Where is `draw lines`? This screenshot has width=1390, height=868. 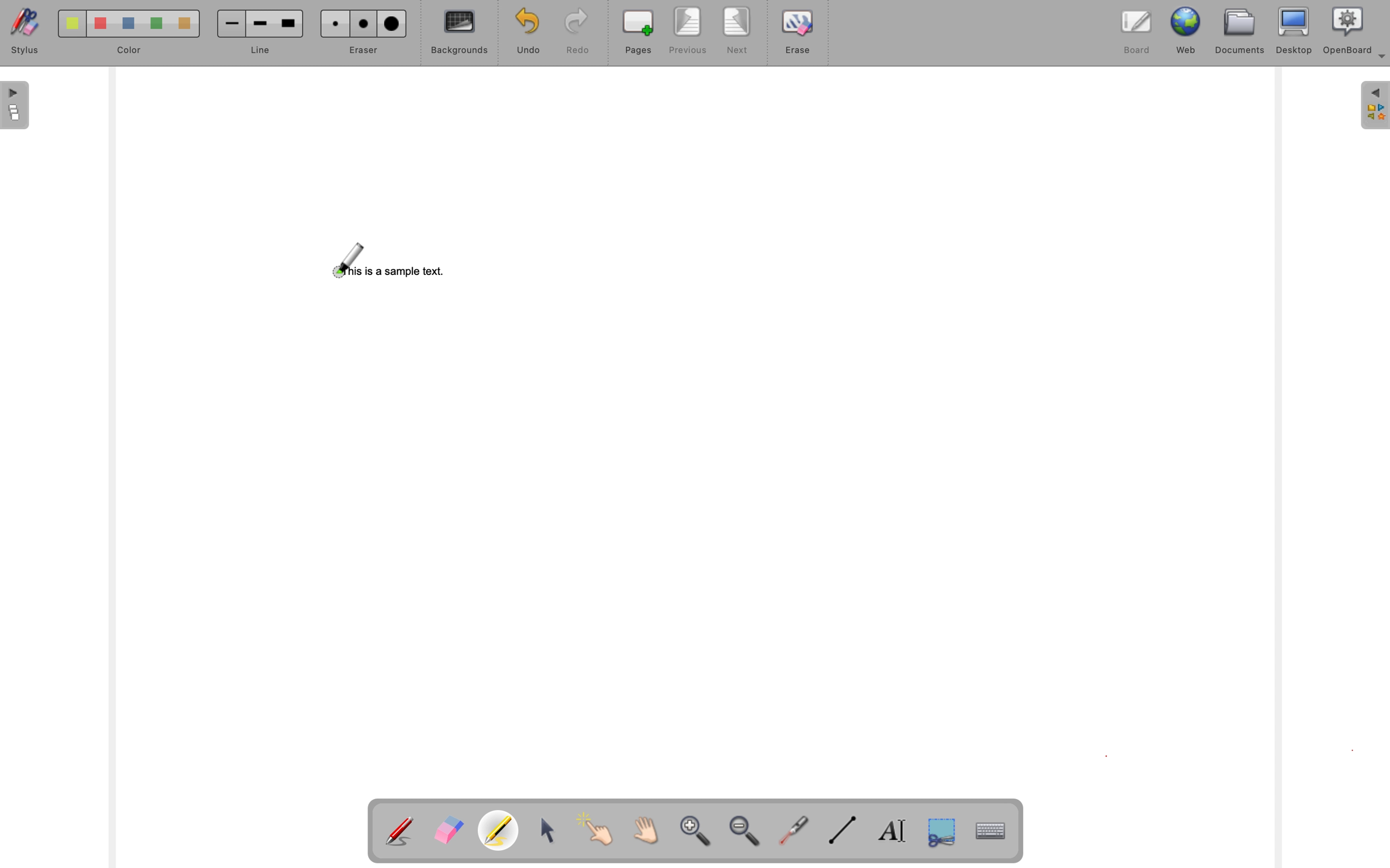
draw lines is located at coordinates (843, 830).